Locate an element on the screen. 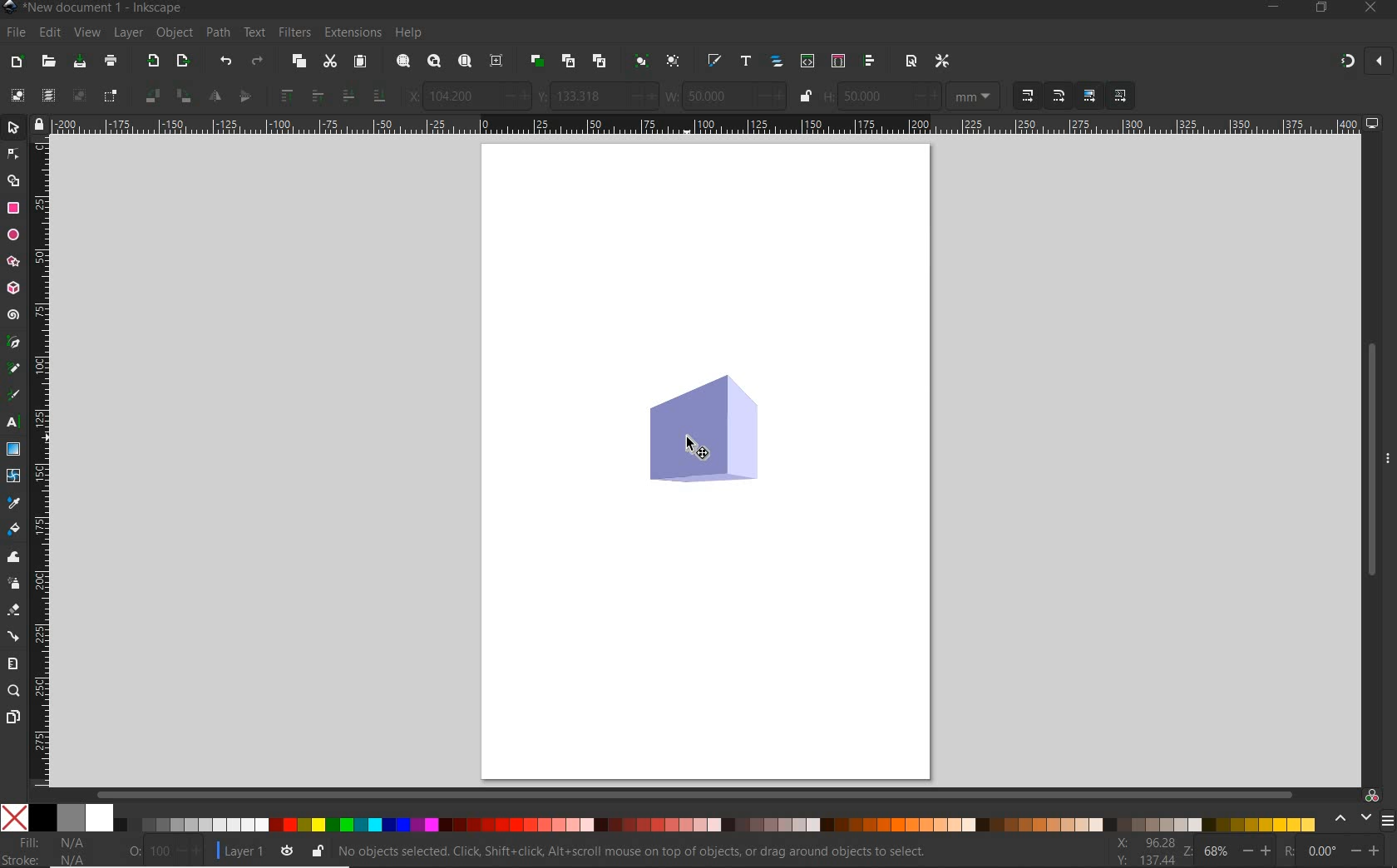  open file dialog is located at coordinates (47, 62).